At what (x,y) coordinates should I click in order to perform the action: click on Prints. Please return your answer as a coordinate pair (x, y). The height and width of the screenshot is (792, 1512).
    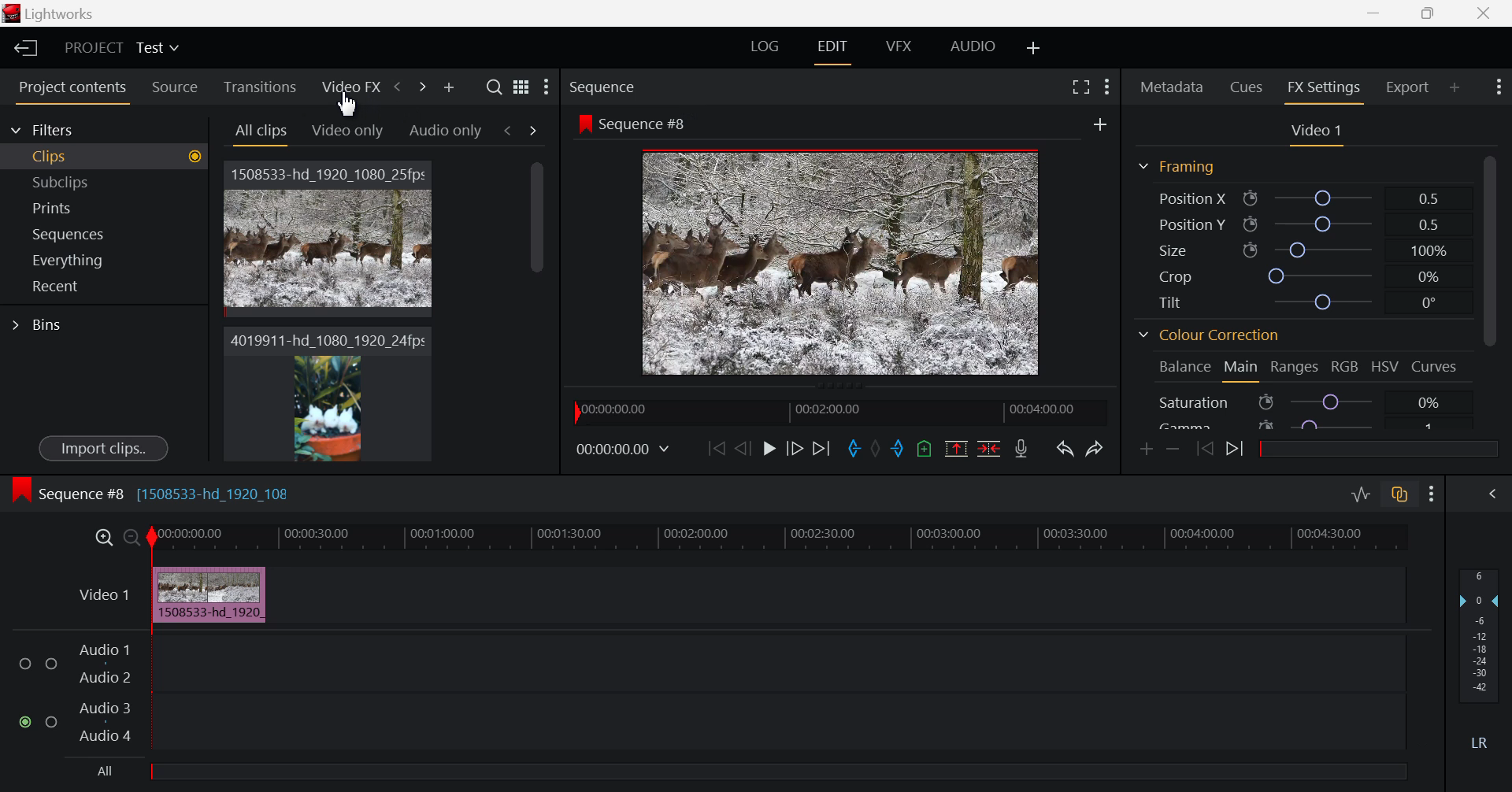
    Looking at the image, I should click on (100, 207).